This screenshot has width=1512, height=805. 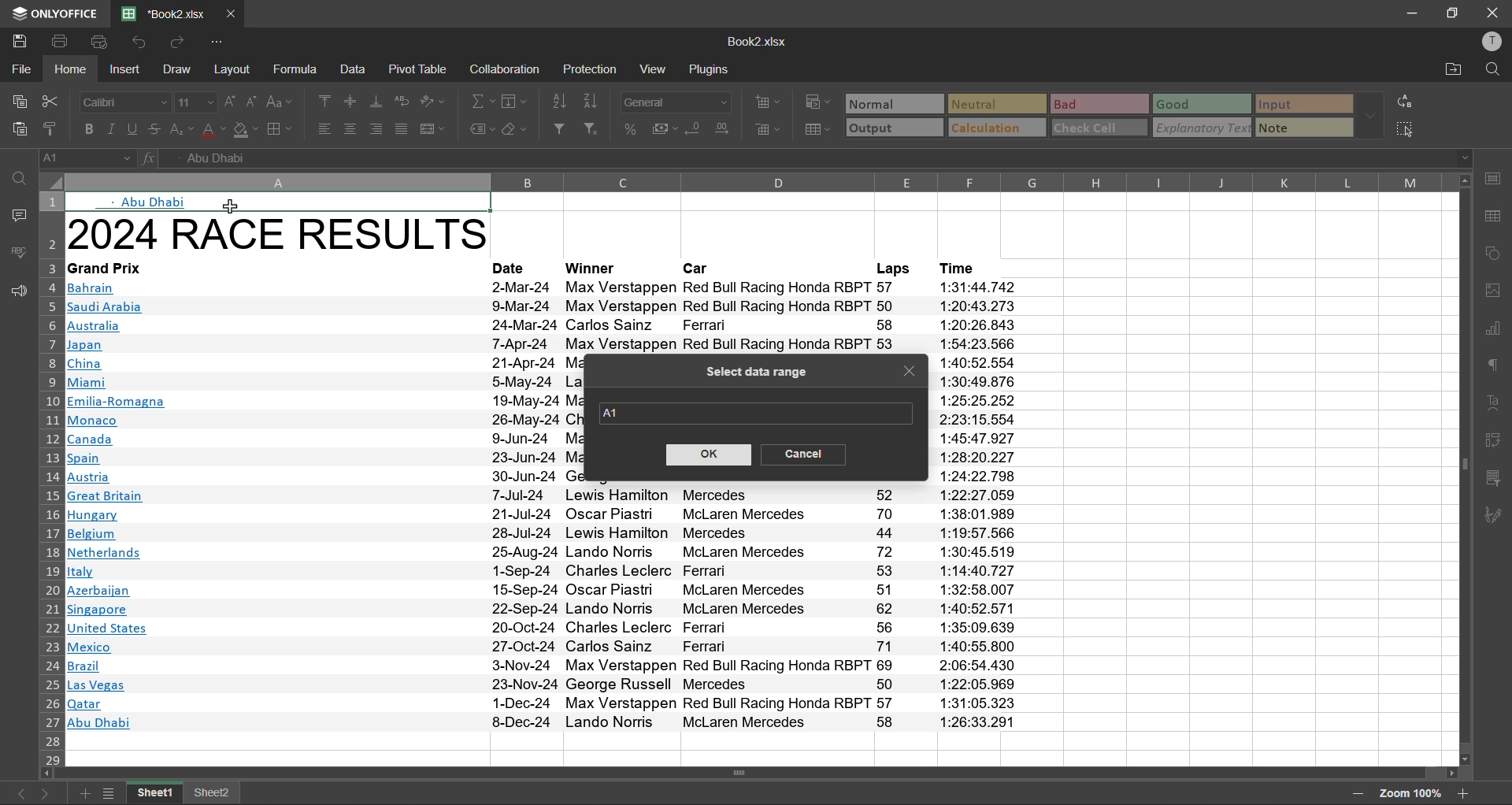 What do you see at coordinates (1450, 72) in the screenshot?
I see `open location` at bounding box center [1450, 72].